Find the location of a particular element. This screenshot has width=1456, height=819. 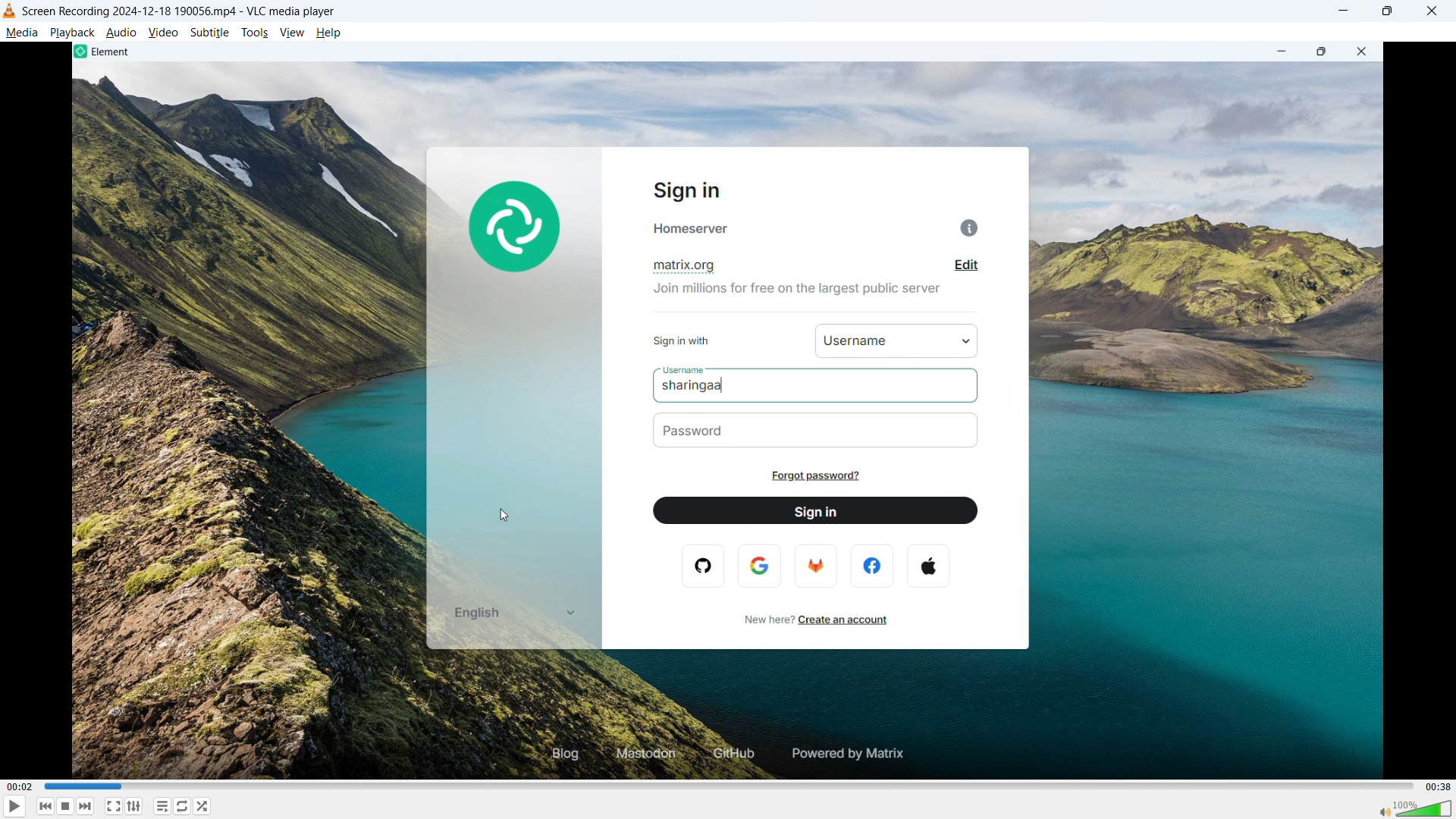

GitHub is located at coordinates (730, 755).